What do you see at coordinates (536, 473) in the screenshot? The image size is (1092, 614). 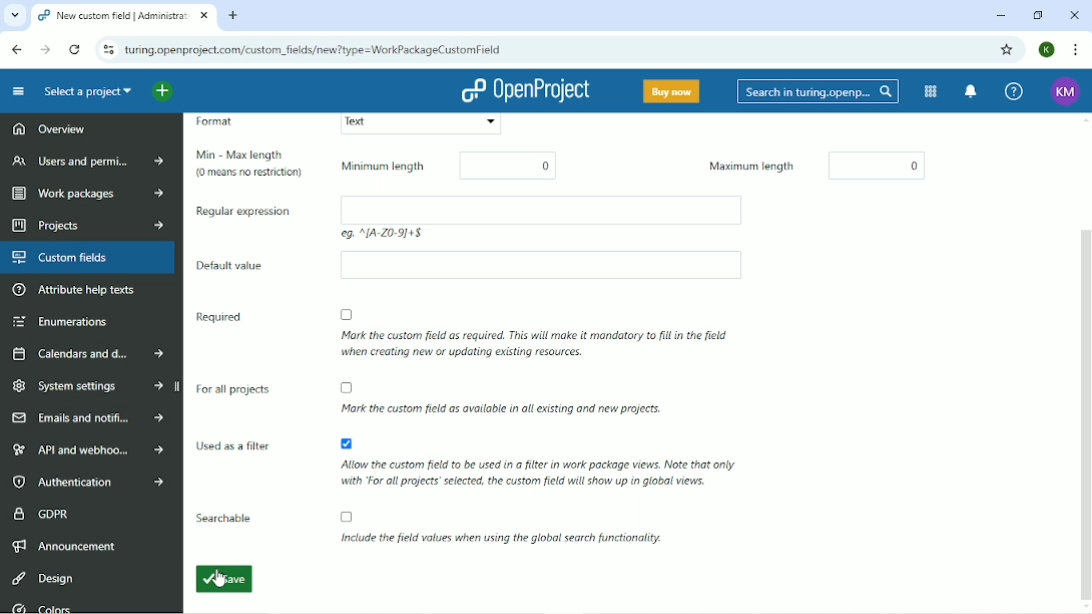 I see `Allow the custom field to be used in a fitter in work package views. Note that only with For all projects’ selected, the custom field will show up in global views.` at bounding box center [536, 473].